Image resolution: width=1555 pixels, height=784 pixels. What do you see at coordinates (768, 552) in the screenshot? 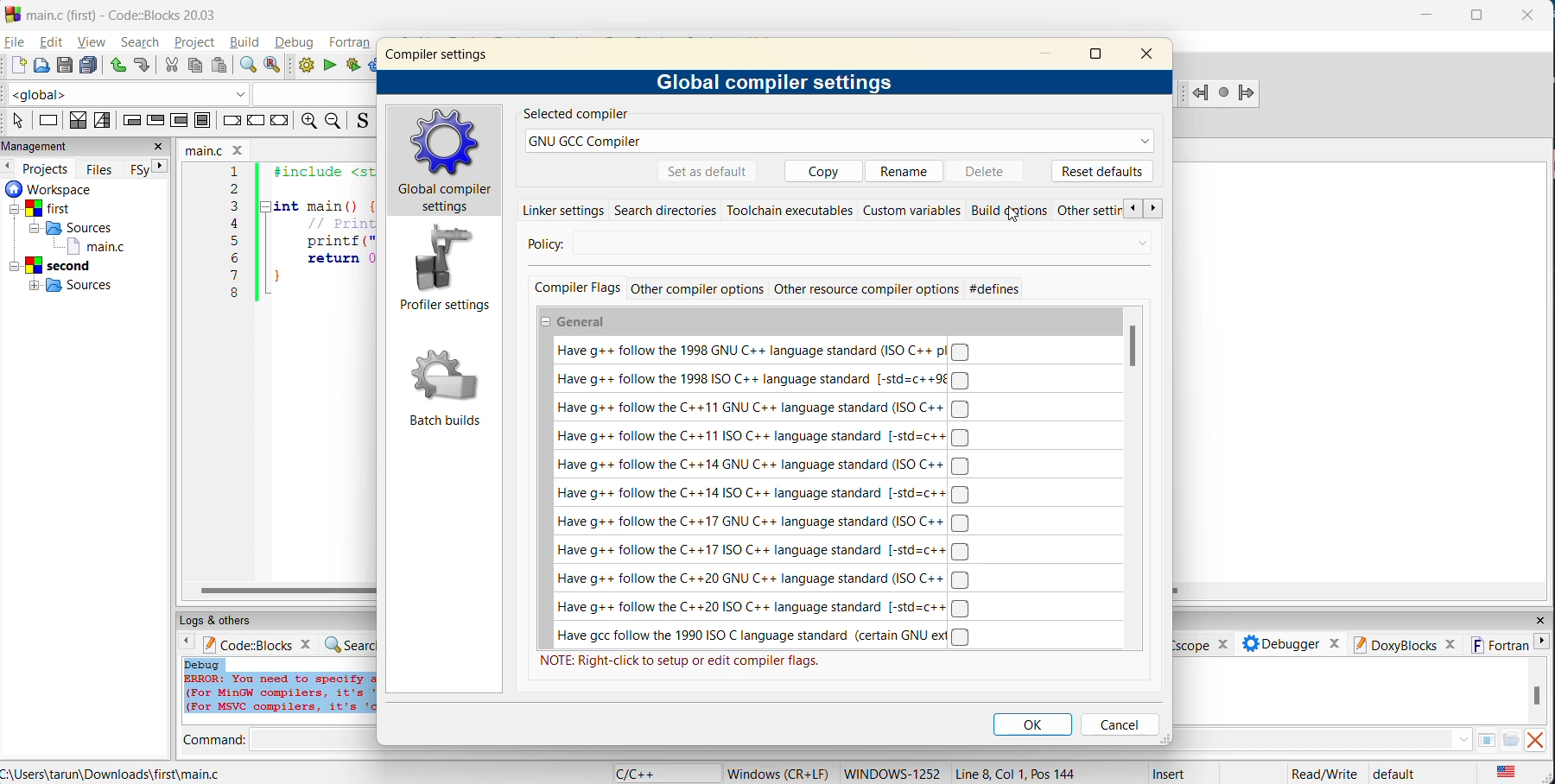
I see `Have g++ follow the C++17 ISO C++ language standard [-std=c++` at bounding box center [768, 552].